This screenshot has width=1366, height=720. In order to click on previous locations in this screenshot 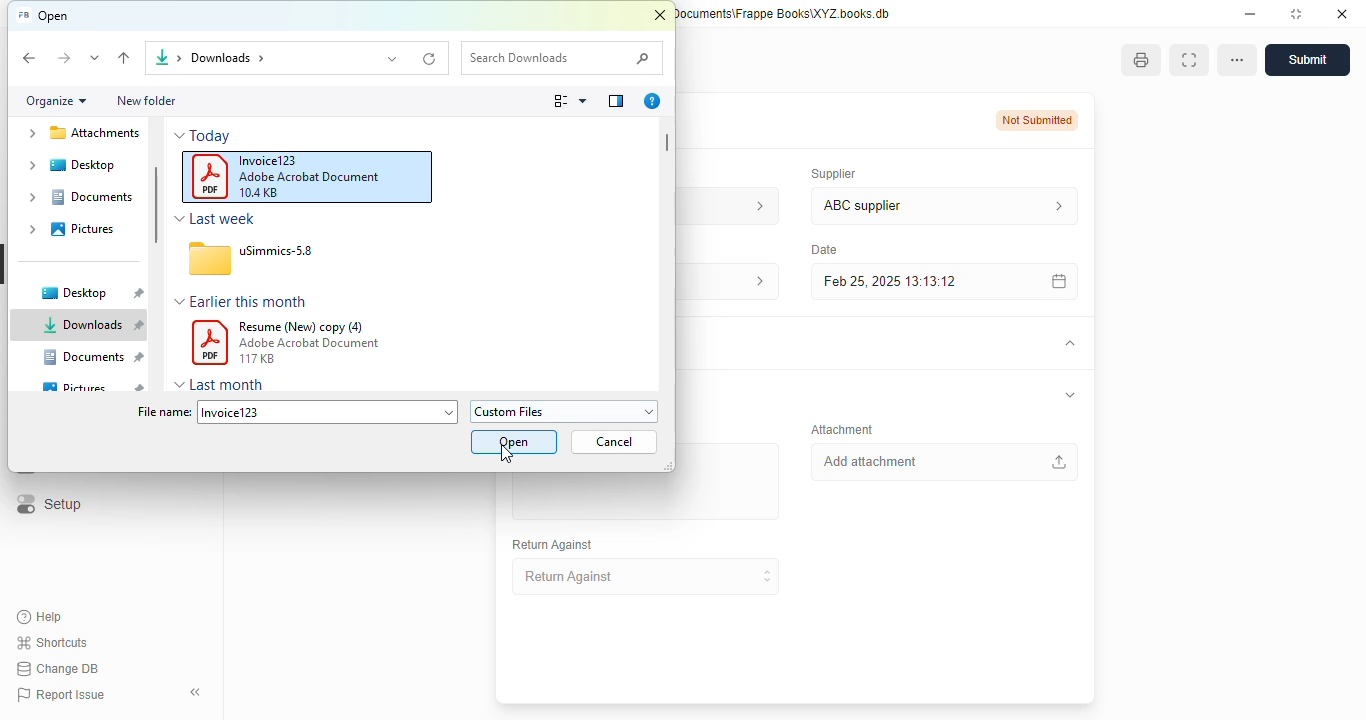, I will do `click(394, 58)`.